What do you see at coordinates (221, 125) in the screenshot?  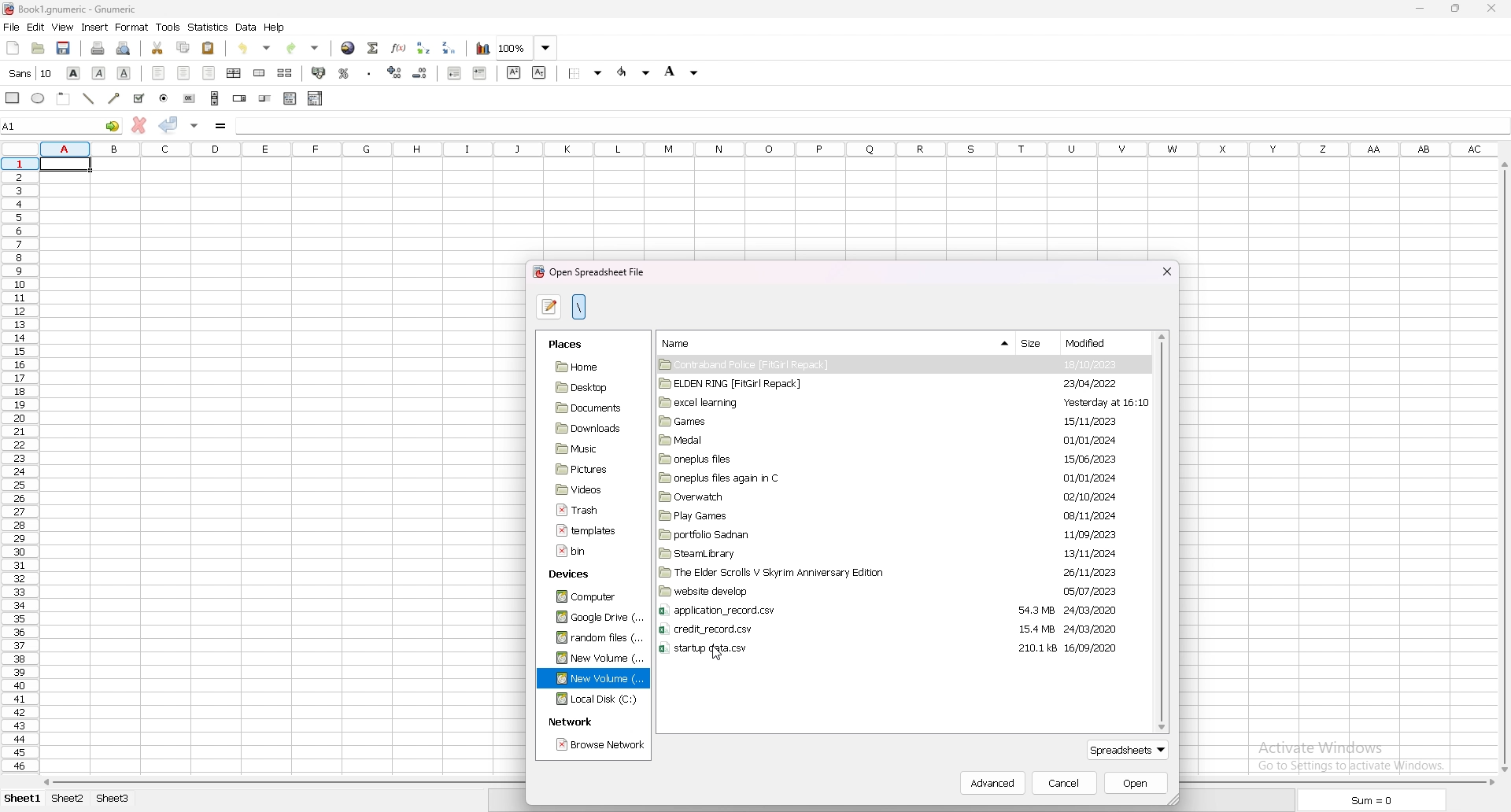 I see `formula` at bounding box center [221, 125].